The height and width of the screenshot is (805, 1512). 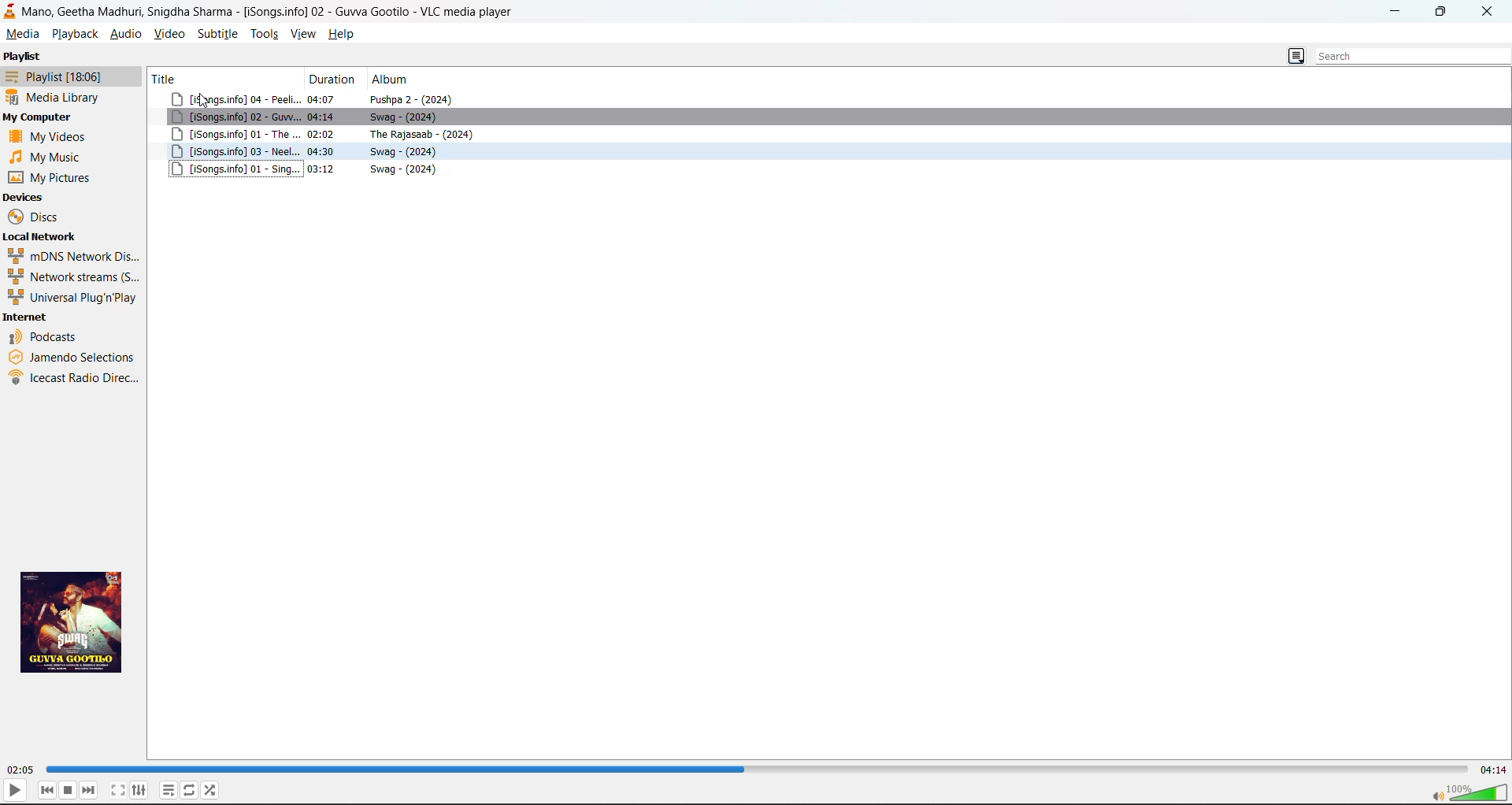 What do you see at coordinates (39, 236) in the screenshot?
I see `local network` at bounding box center [39, 236].